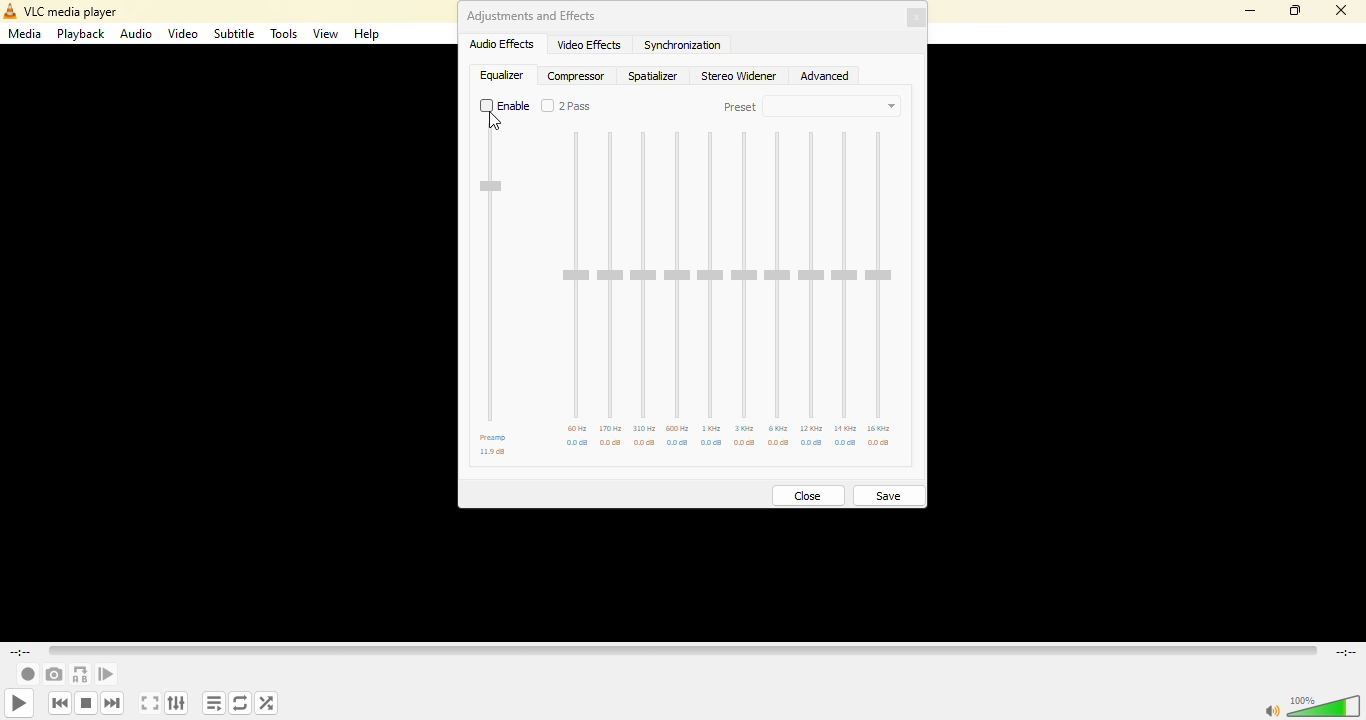 This screenshot has height=720, width=1366. What do you see at coordinates (844, 273) in the screenshot?
I see `adjustor` at bounding box center [844, 273].